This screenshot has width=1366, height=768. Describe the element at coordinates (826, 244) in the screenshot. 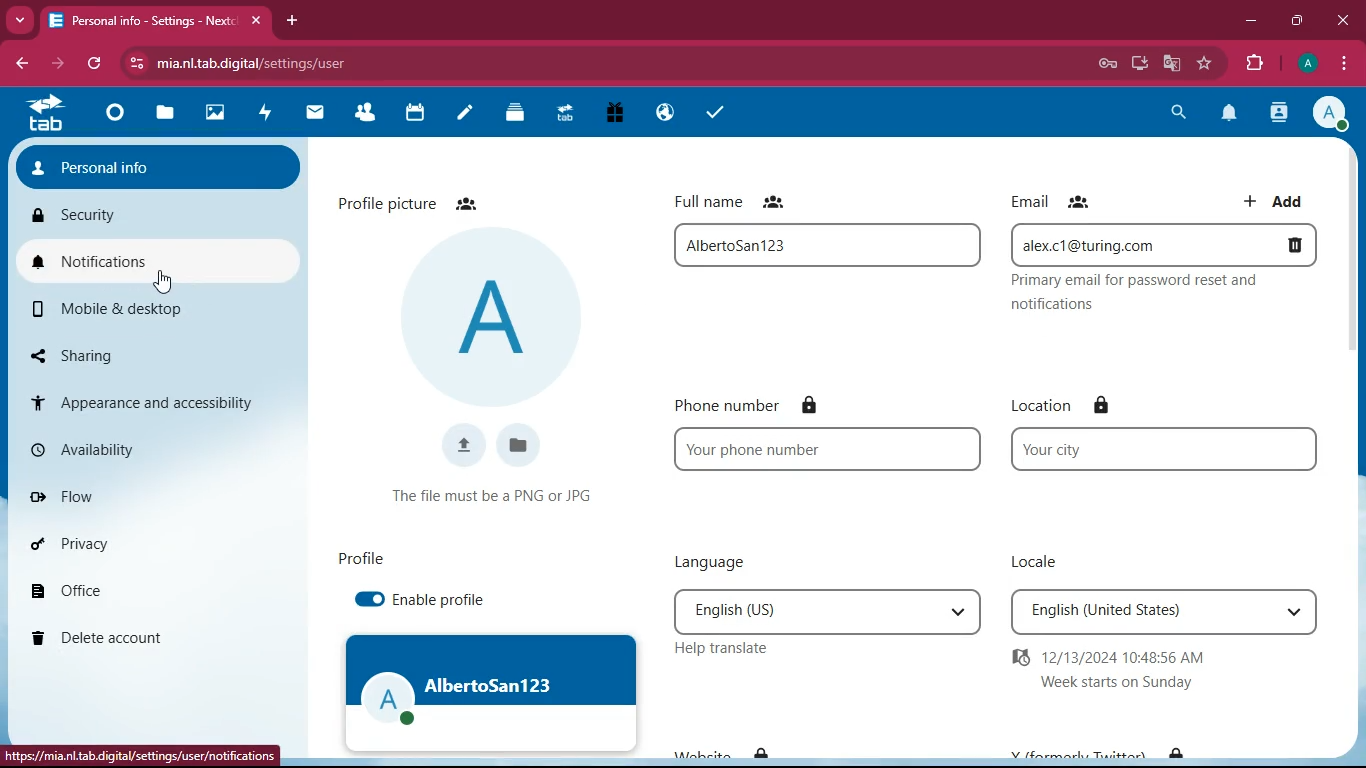

I see `full name` at that location.